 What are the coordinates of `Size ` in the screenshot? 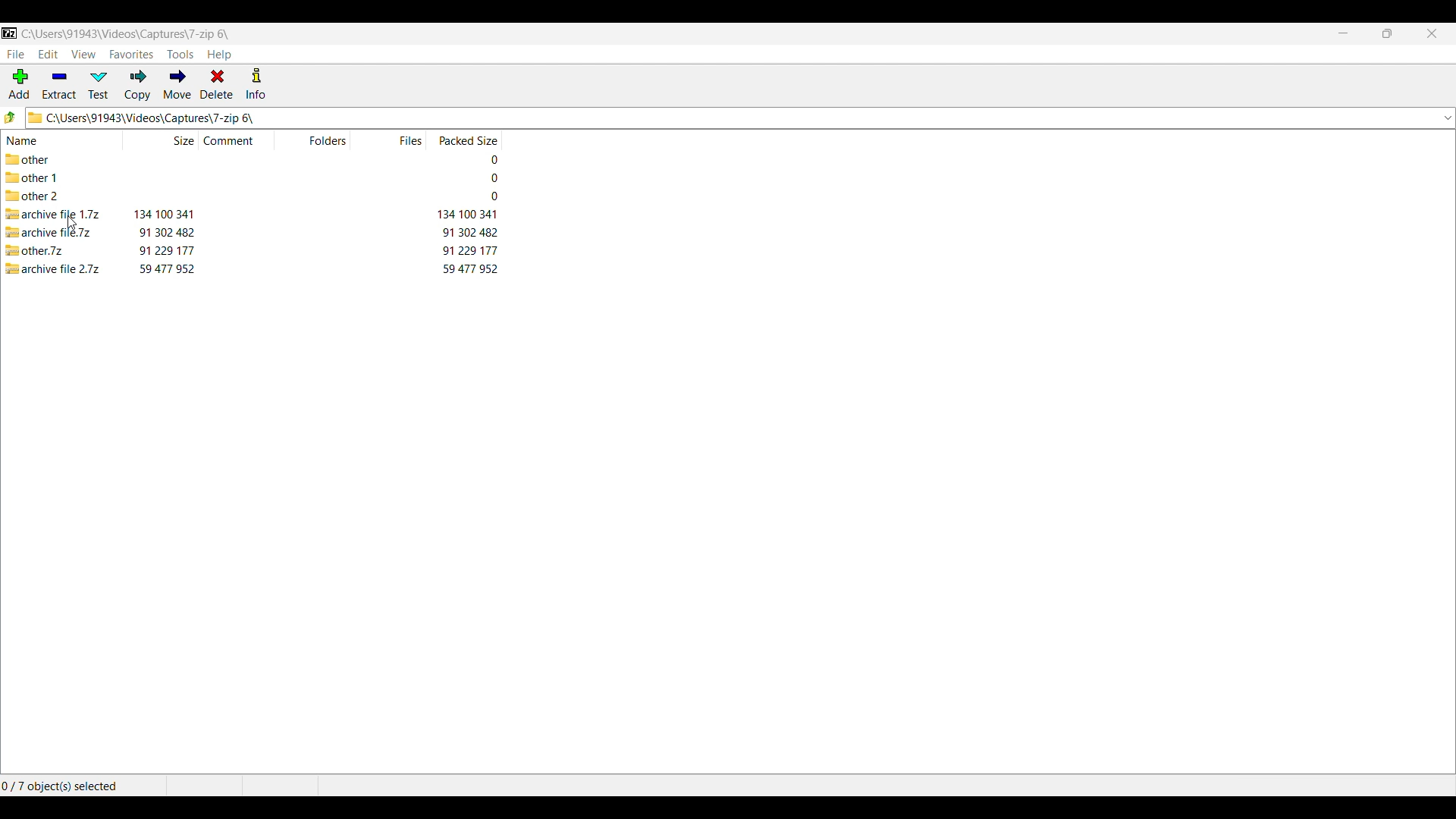 It's located at (159, 140).